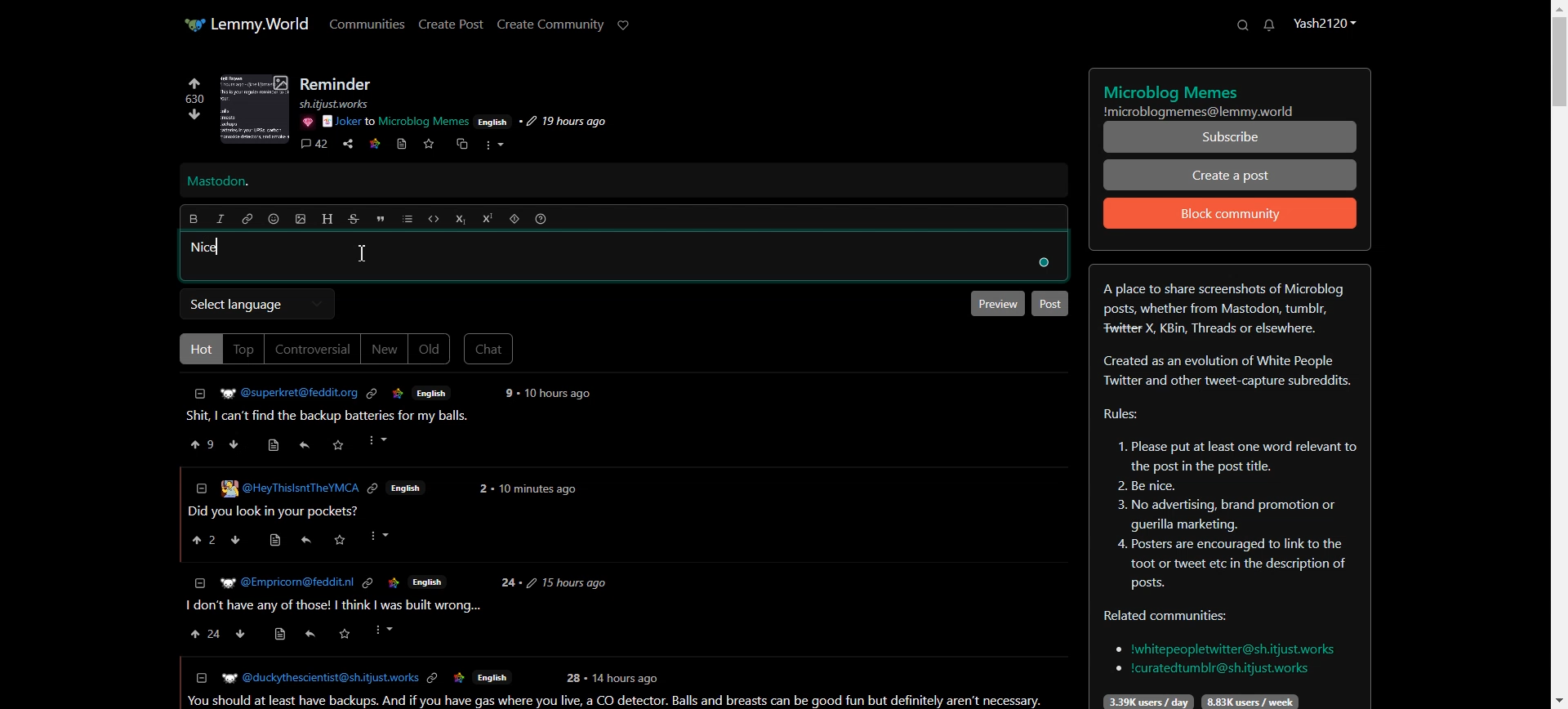 This screenshot has width=1568, height=709. Describe the element at coordinates (488, 218) in the screenshot. I see `Superscript` at that location.